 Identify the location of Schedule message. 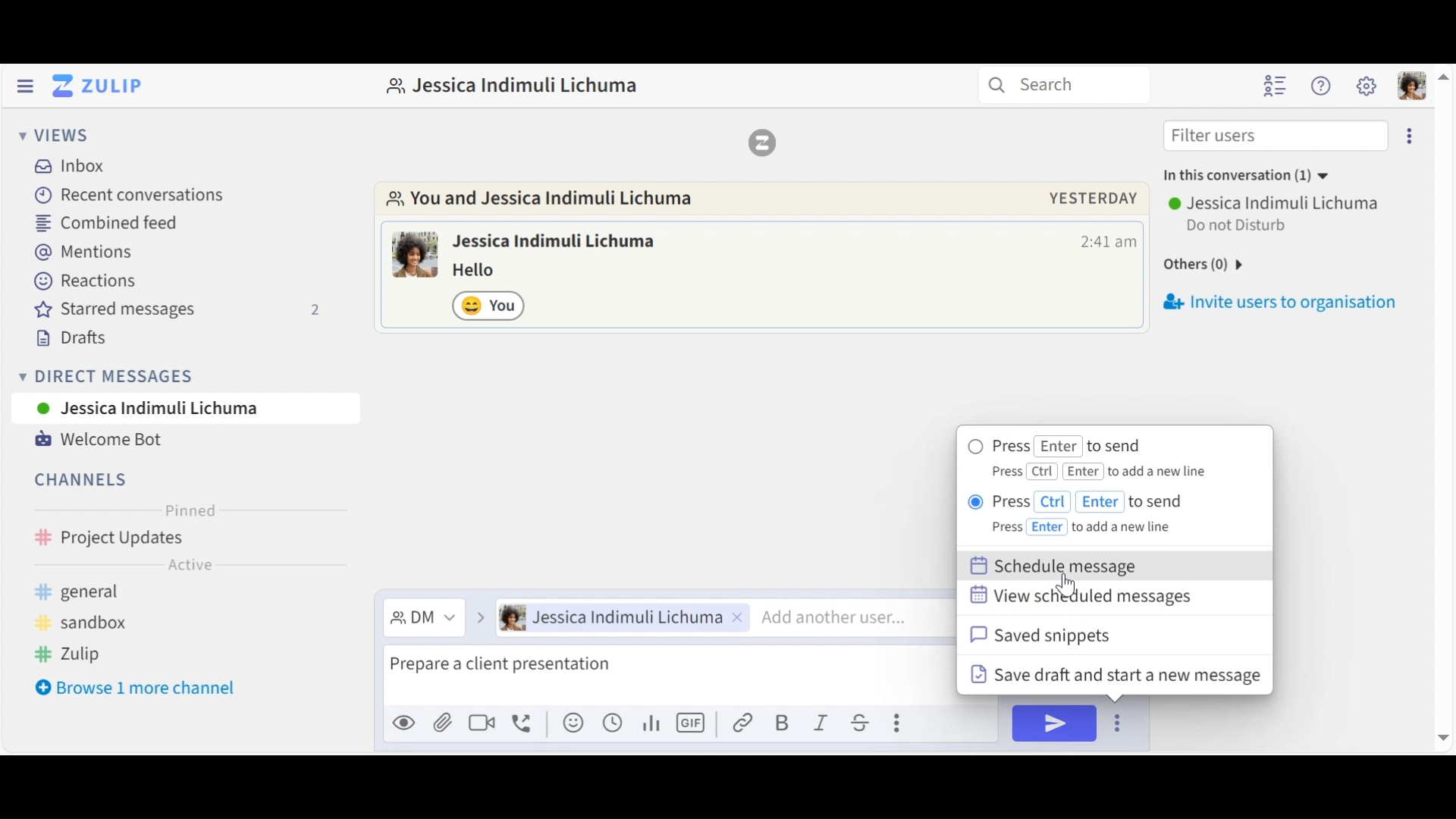
(1063, 566).